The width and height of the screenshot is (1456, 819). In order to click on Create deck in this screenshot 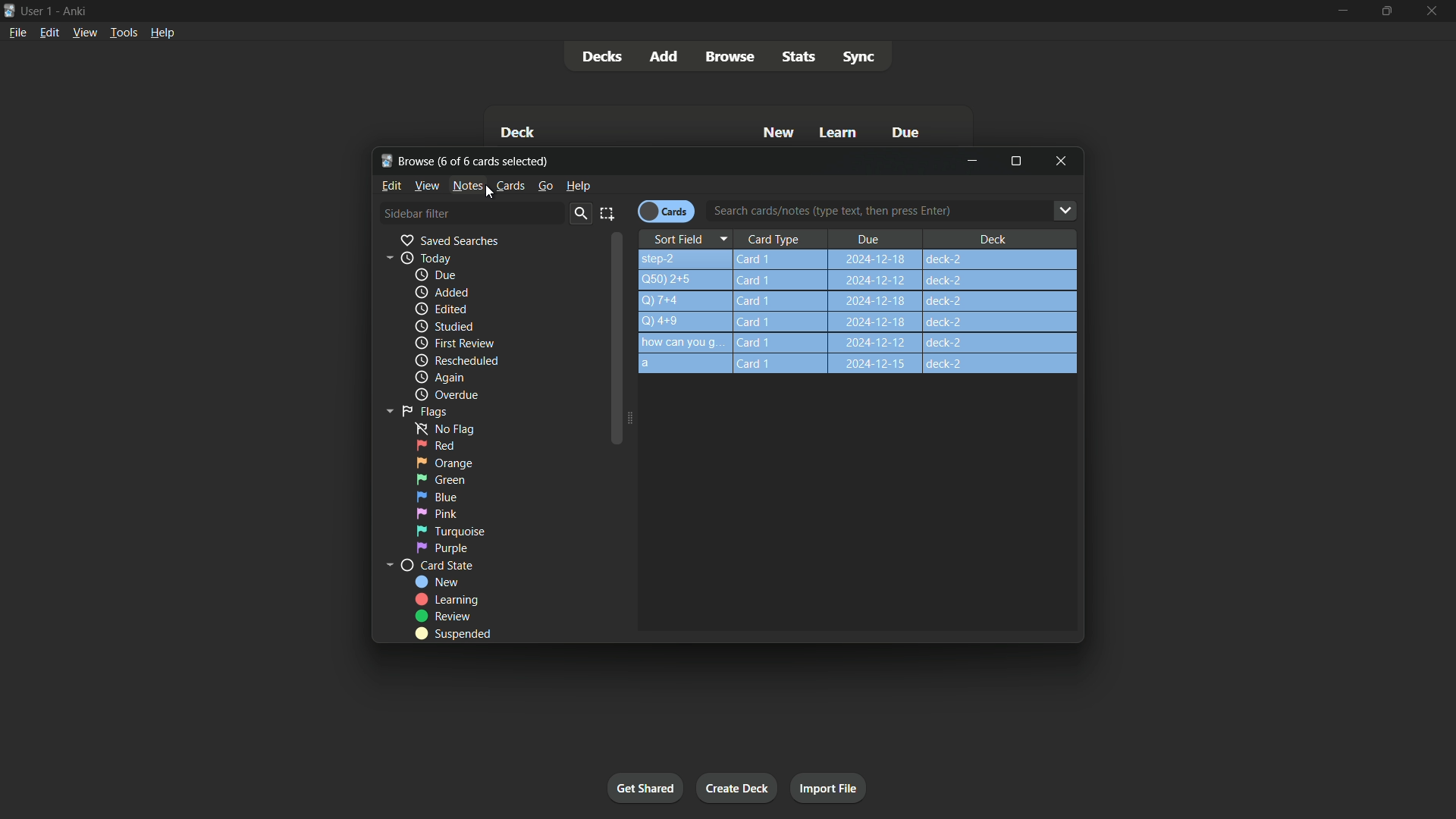, I will do `click(738, 787)`.